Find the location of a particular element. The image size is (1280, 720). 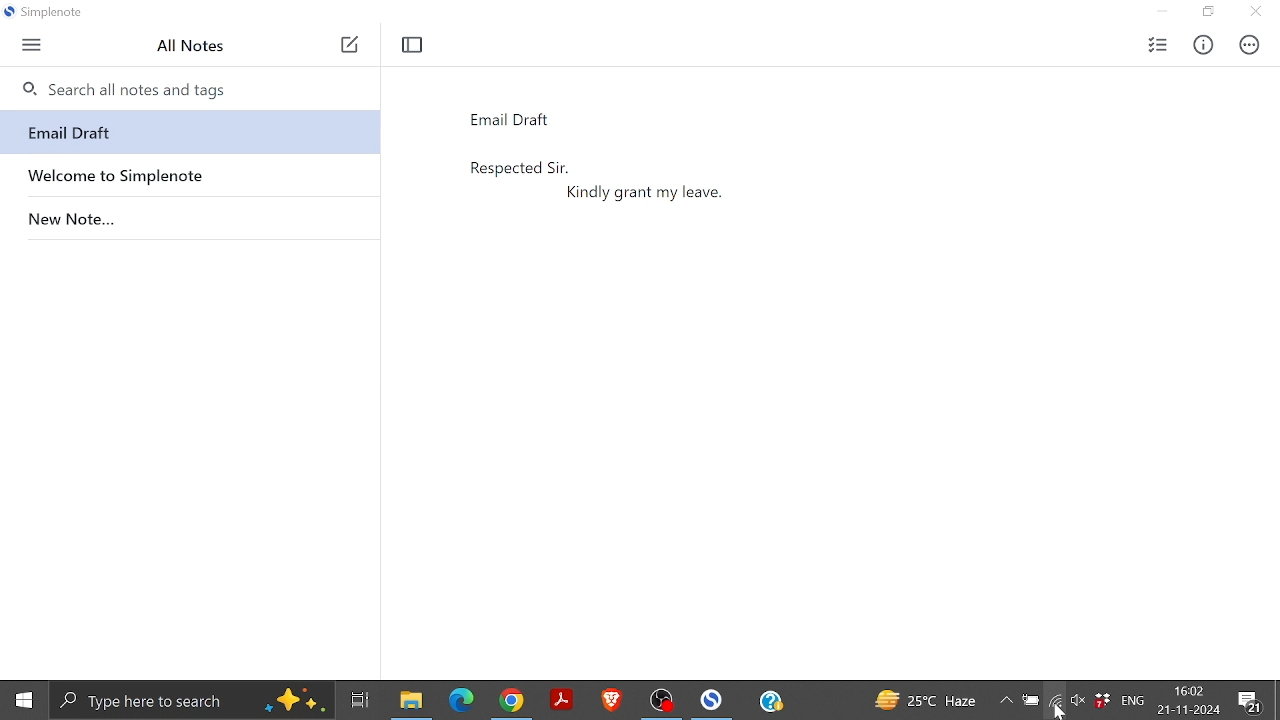

Close is located at coordinates (1254, 13).